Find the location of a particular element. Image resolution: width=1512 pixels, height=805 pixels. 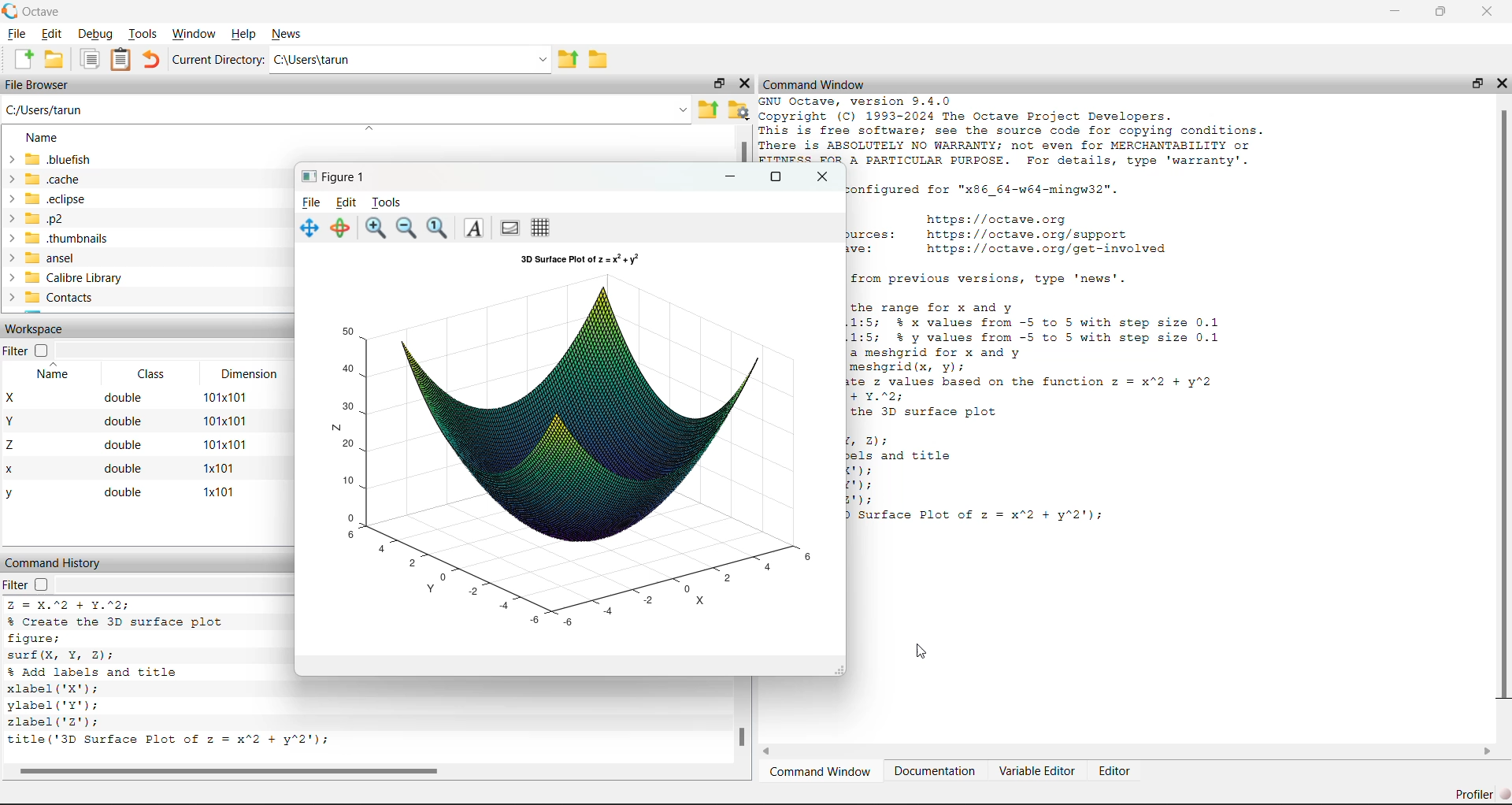

Help is located at coordinates (245, 34).